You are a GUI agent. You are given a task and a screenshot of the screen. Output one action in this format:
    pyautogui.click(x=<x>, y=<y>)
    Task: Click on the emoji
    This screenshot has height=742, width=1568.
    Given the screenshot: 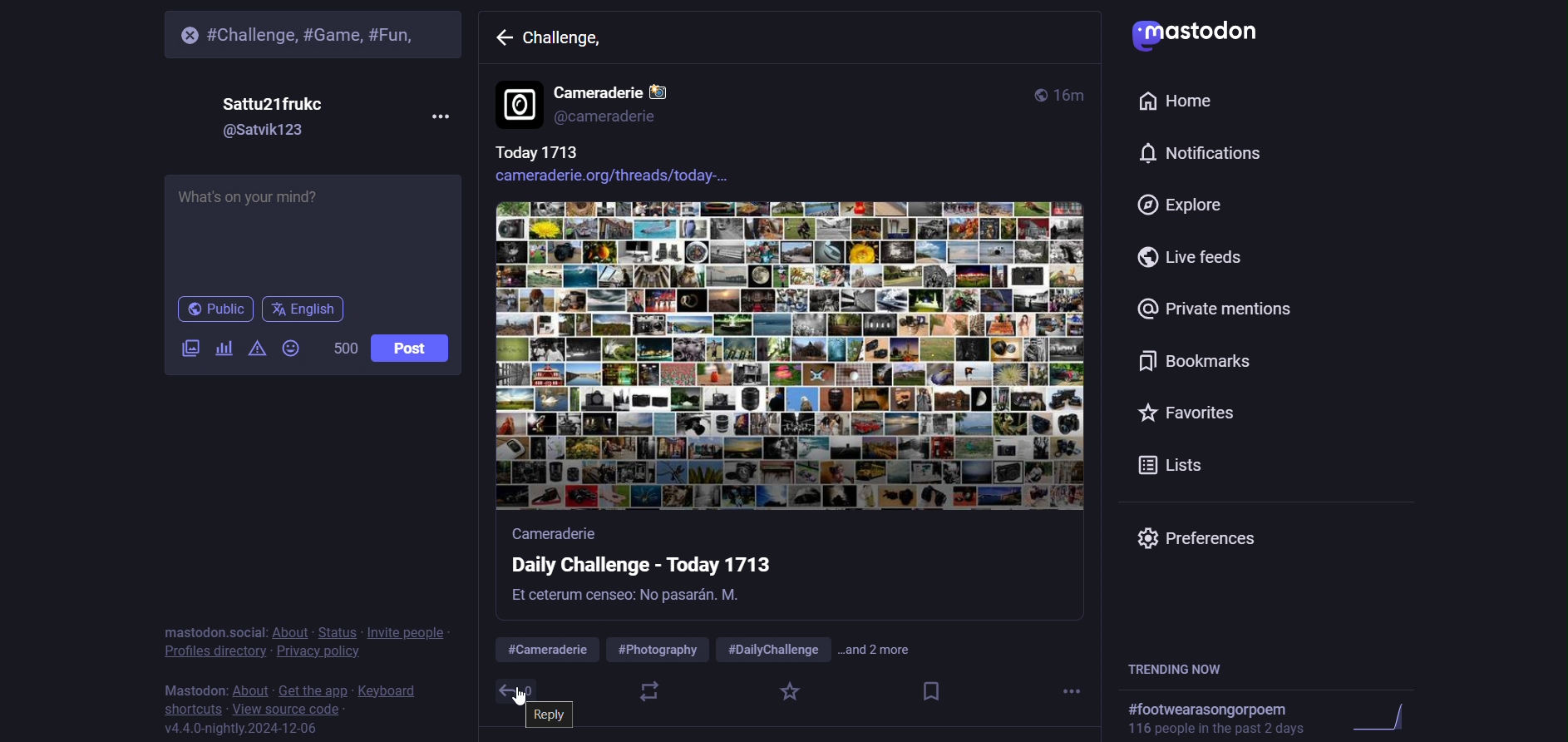 What is the action you would take?
    pyautogui.click(x=290, y=350)
    